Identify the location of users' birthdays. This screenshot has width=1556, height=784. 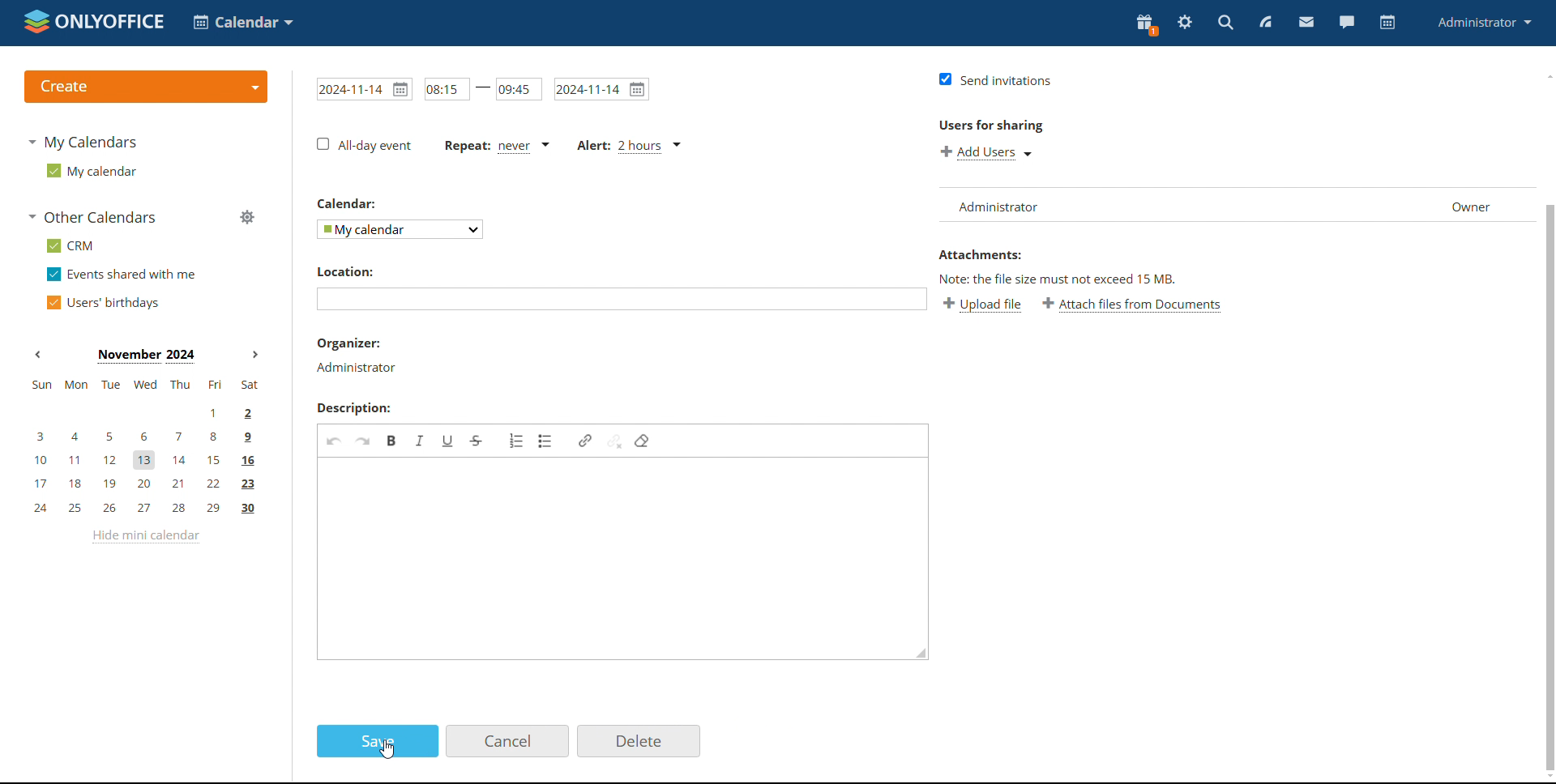
(101, 302).